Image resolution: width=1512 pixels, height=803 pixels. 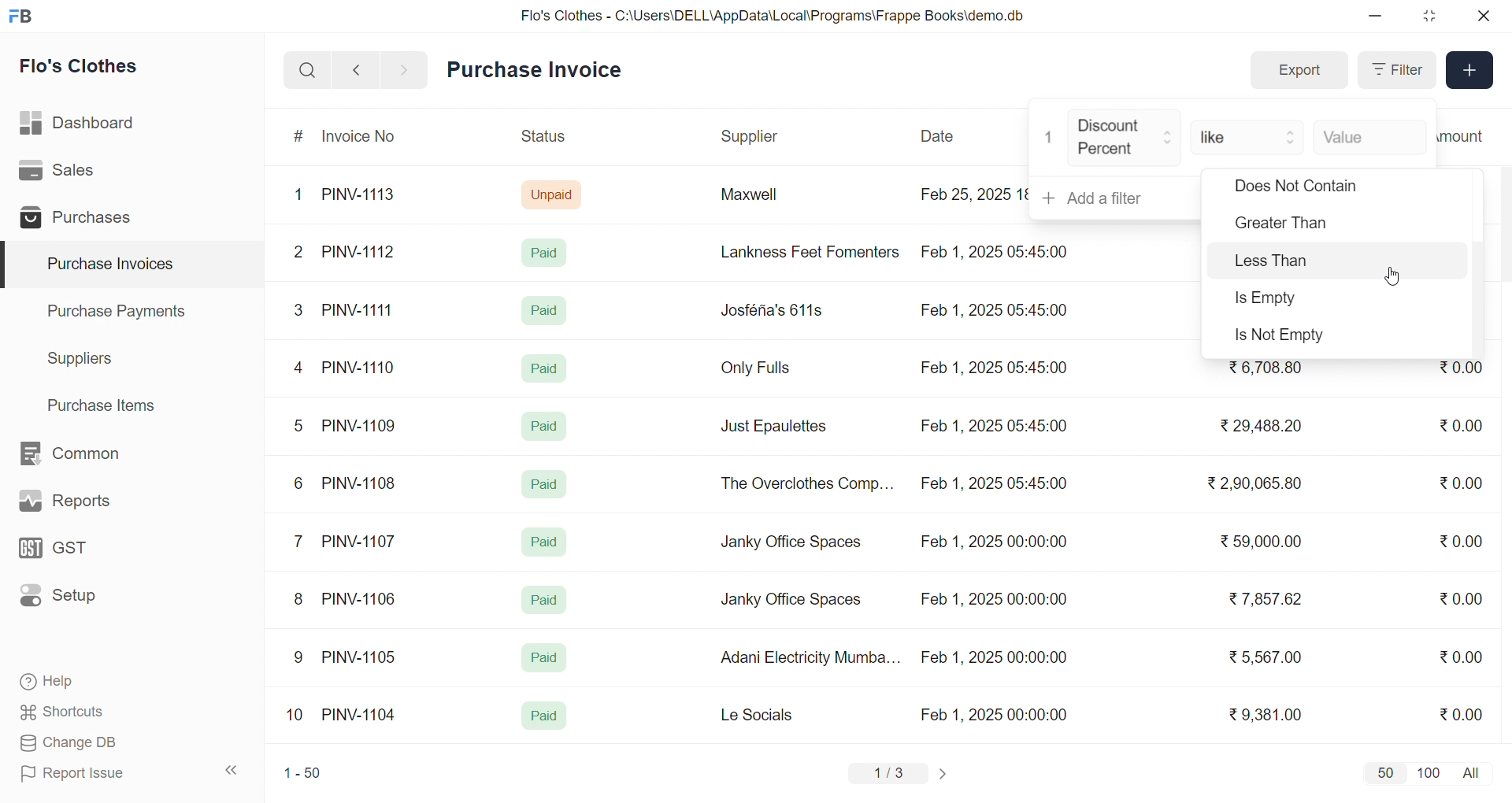 I want to click on navigate forward, so click(x=406, y=68).